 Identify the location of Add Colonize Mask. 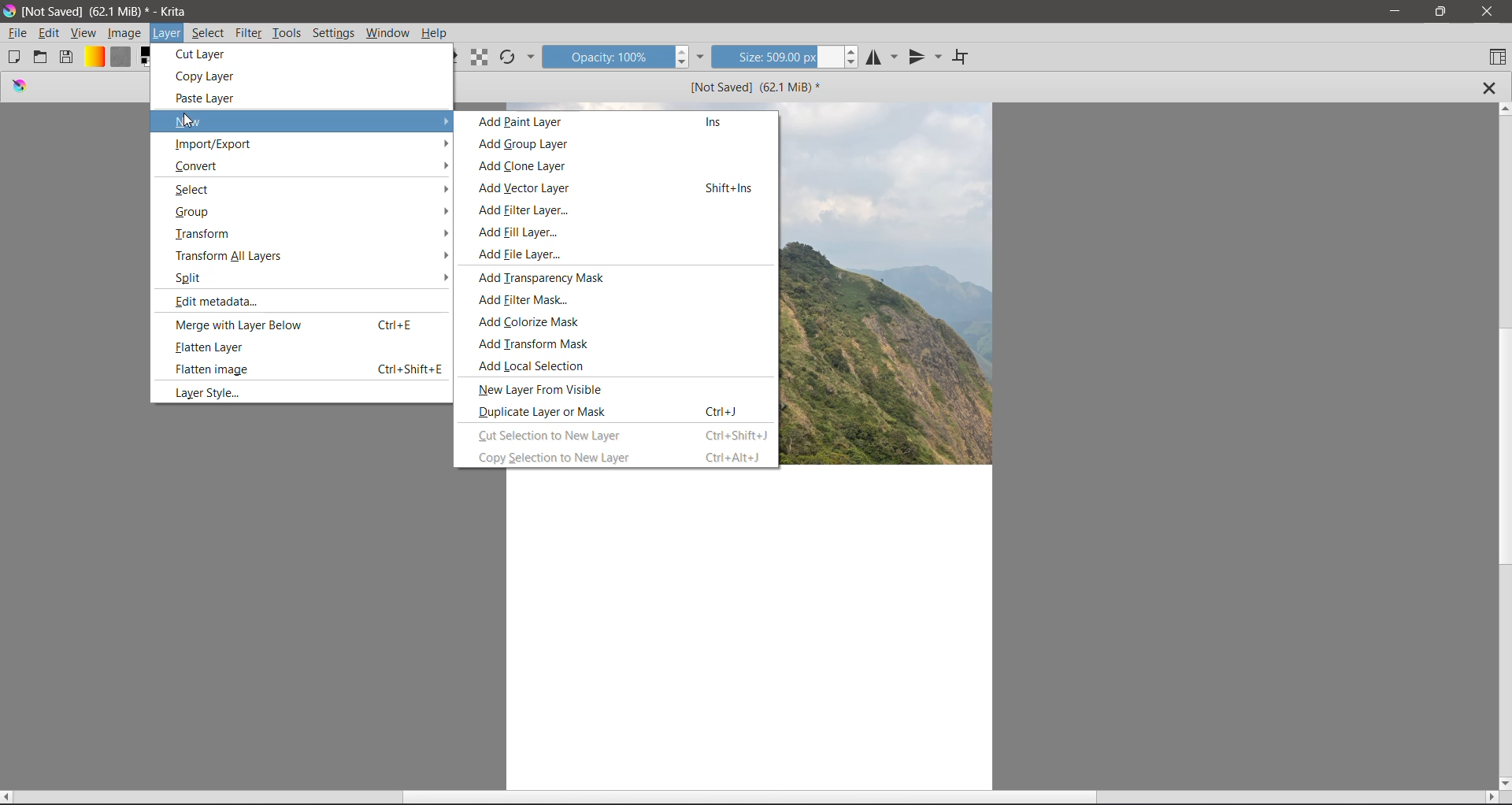
(535, 321).